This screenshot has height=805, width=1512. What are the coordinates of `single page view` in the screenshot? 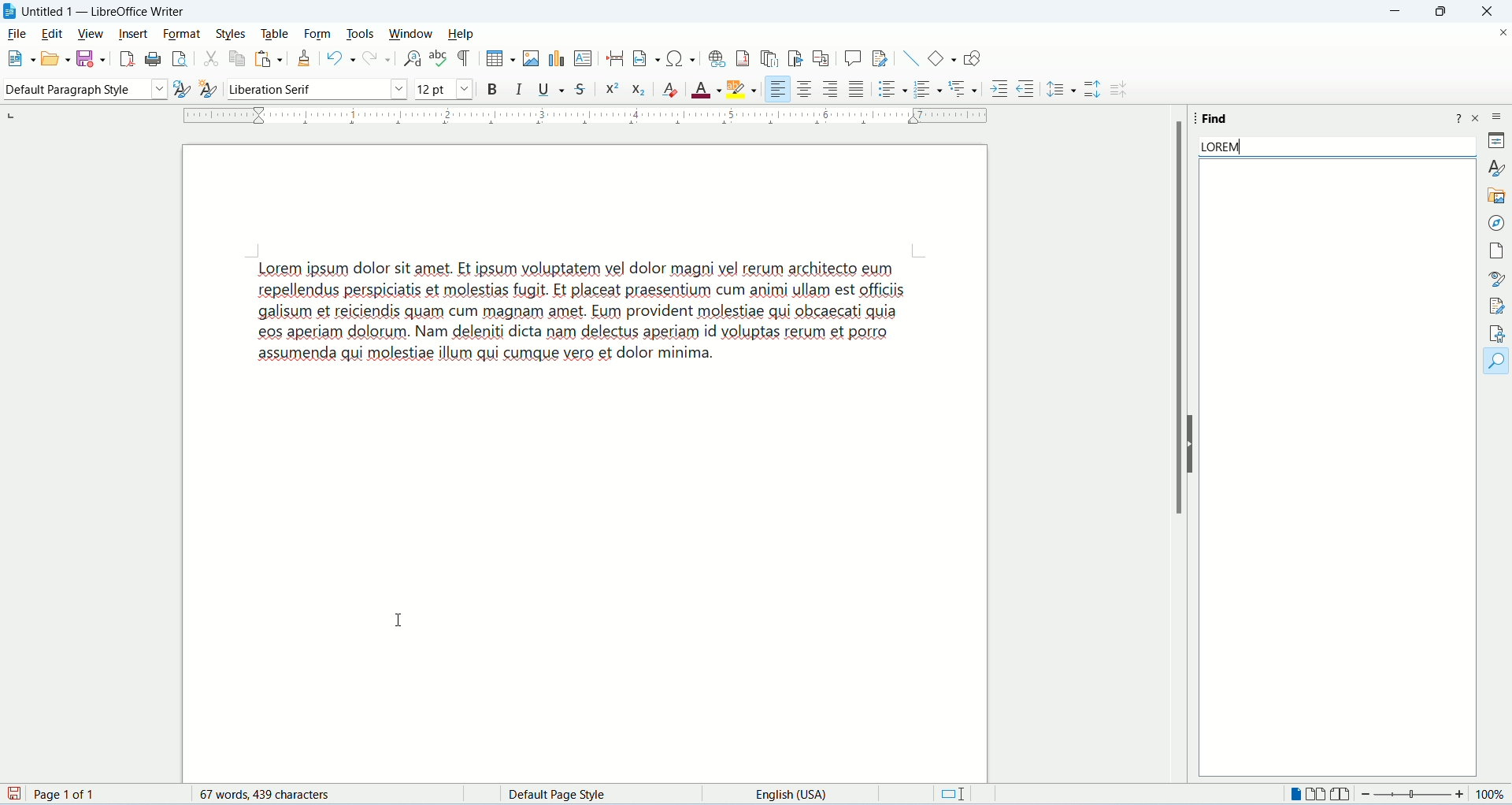 It's located at (1297, 796).